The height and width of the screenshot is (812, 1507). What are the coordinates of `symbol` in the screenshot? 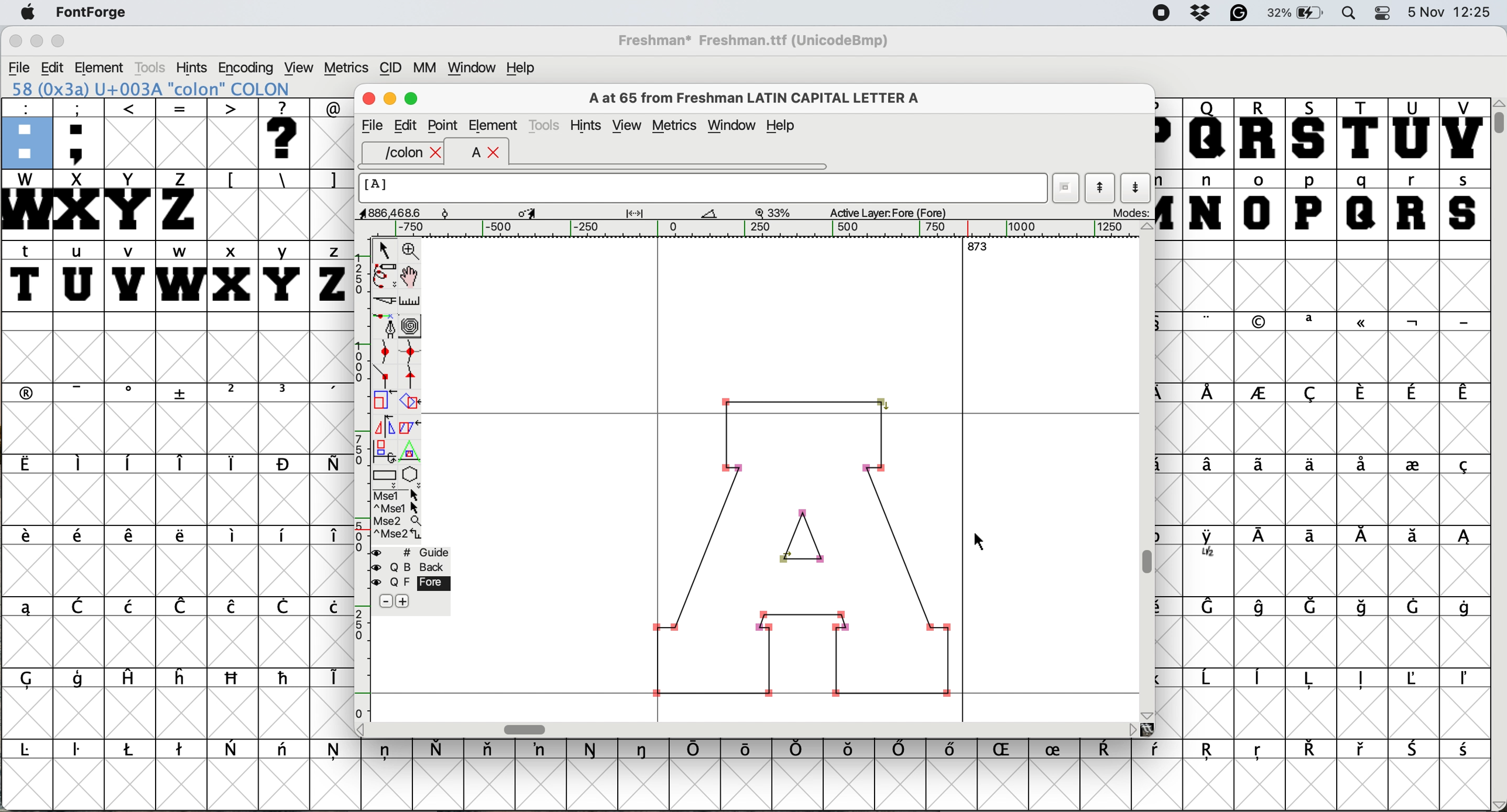 It's located at (183, 463).